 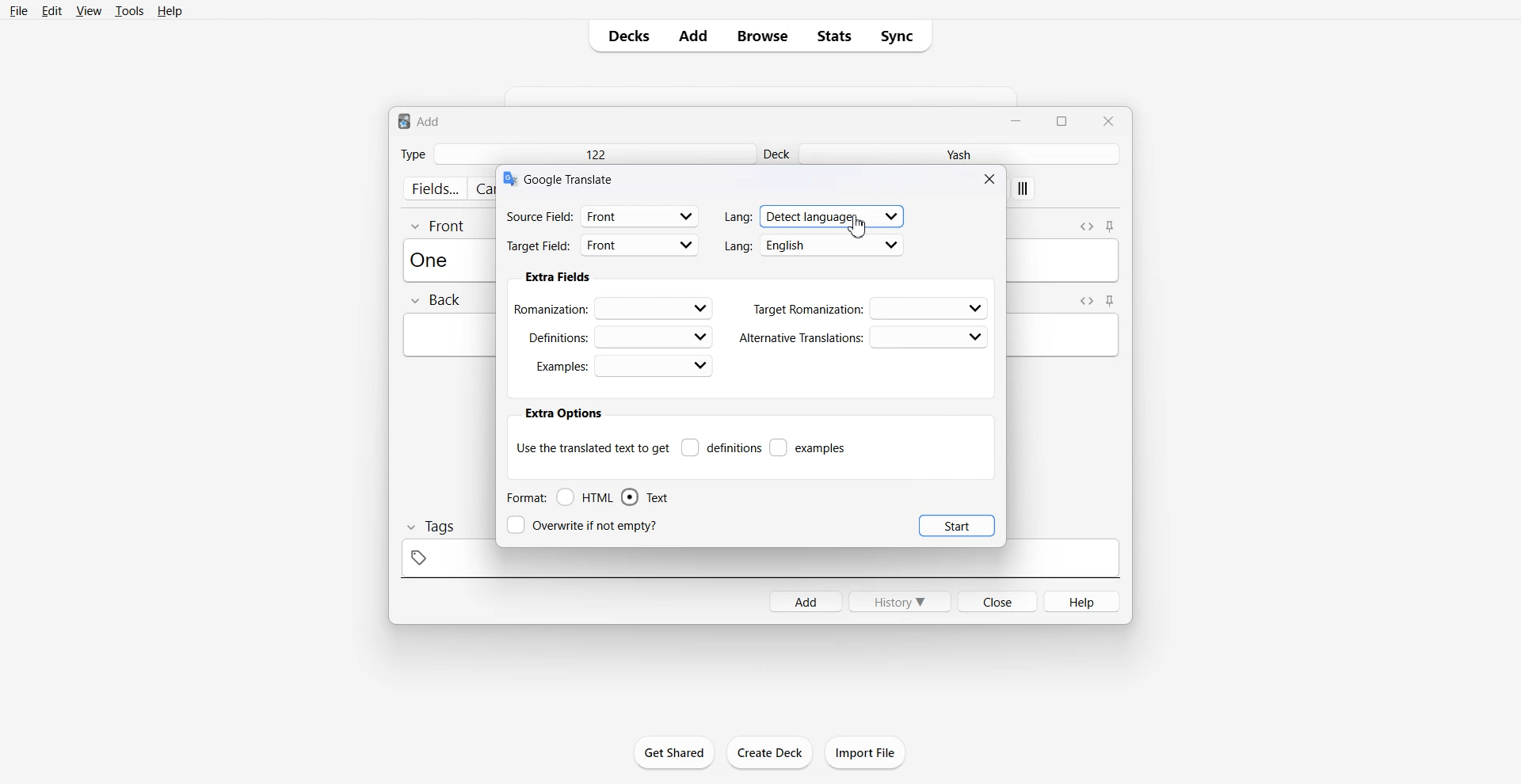 What do you see at coordinates (603, 247) in the screenshot?
I see `Target Field` at bounding box center [603, 247].